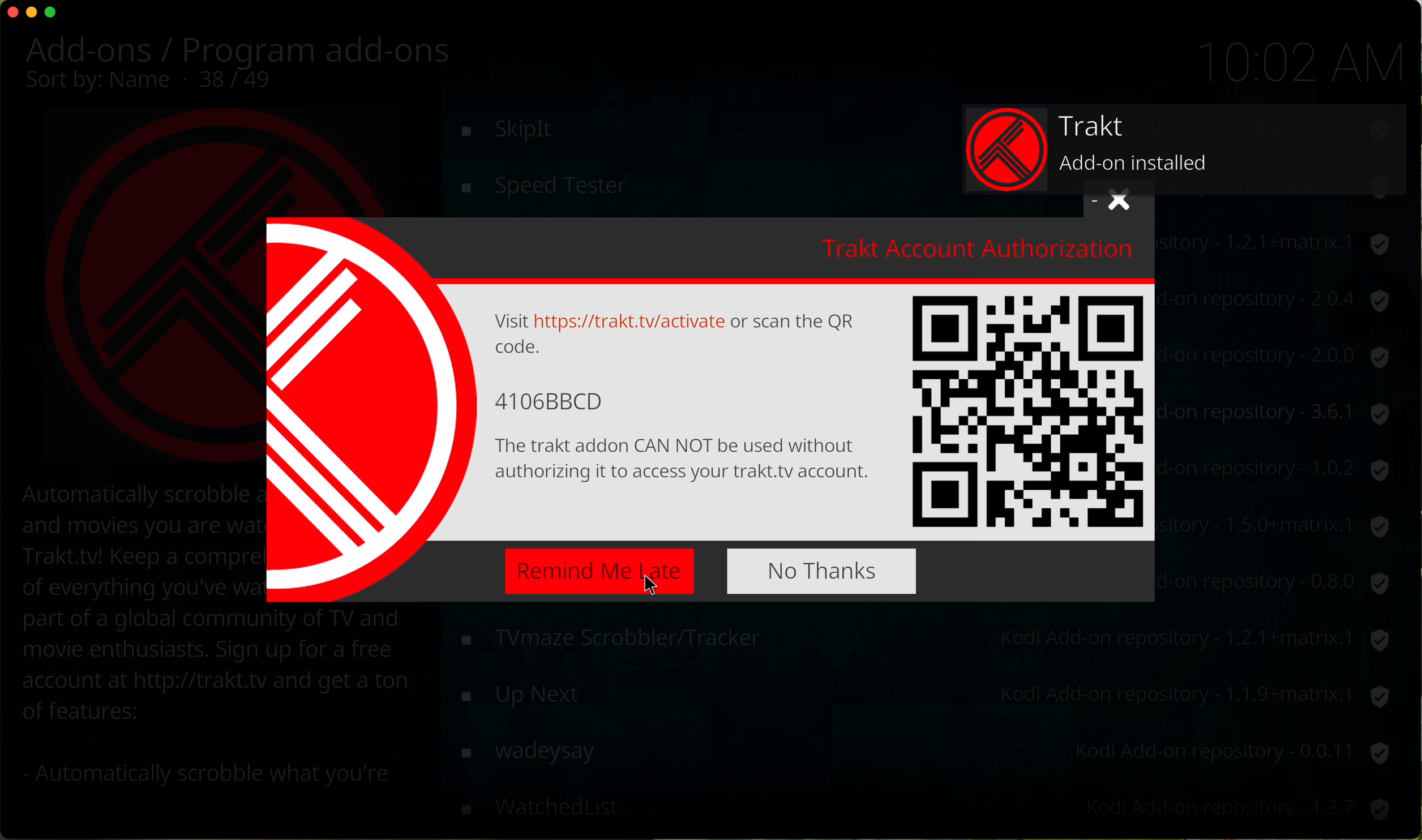  I want to click on options, so click(79, 813).